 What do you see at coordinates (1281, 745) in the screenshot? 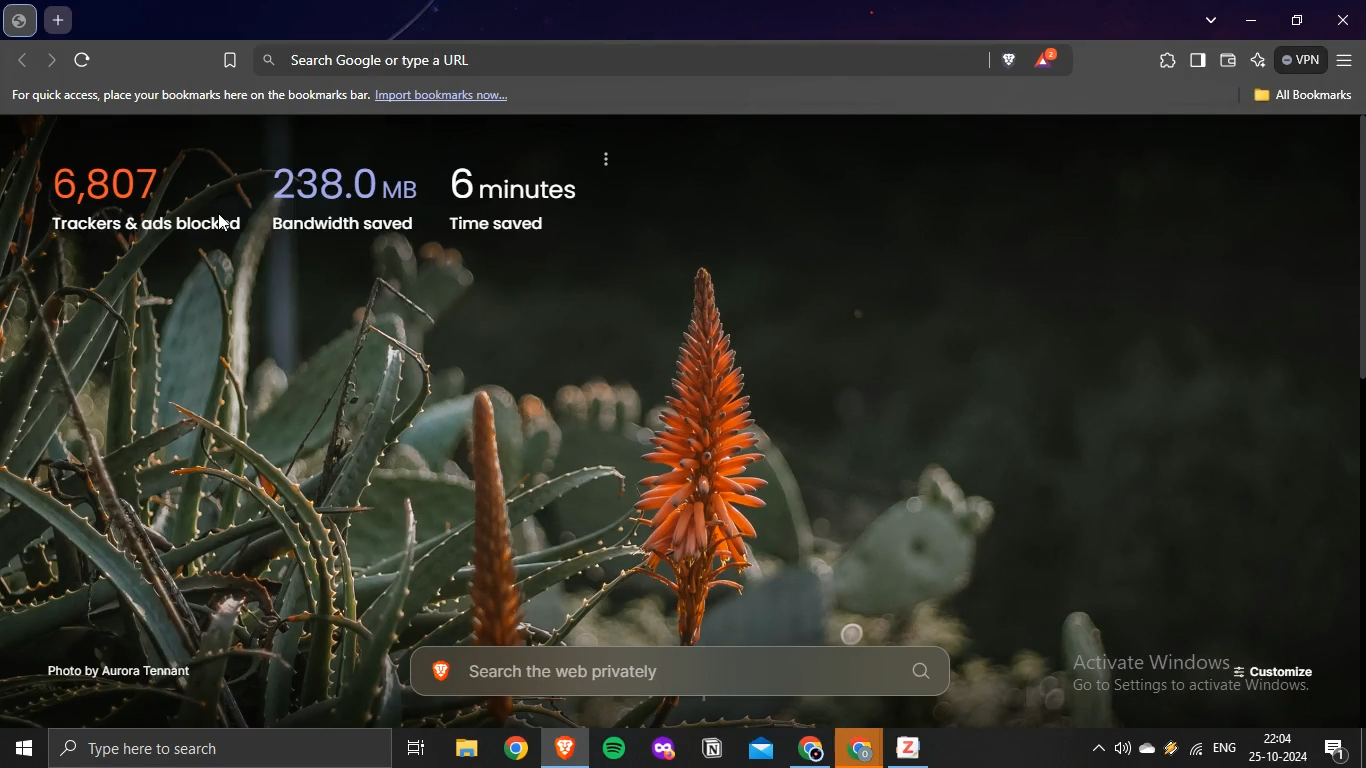
I see `date and time` at bounding box center [1281, 745].